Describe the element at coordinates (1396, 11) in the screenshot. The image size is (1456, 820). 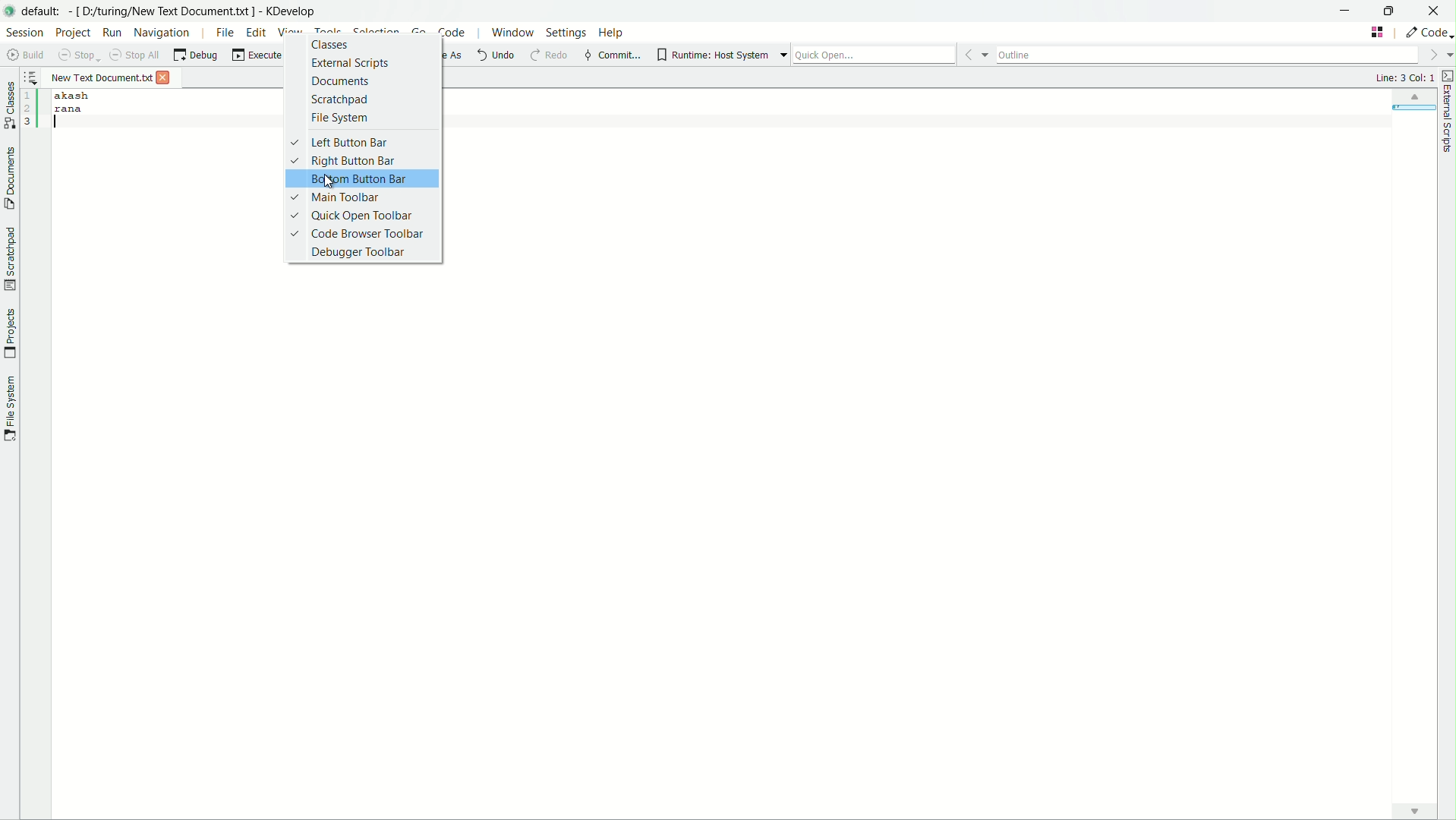
I see `maximize or restore` at that location.